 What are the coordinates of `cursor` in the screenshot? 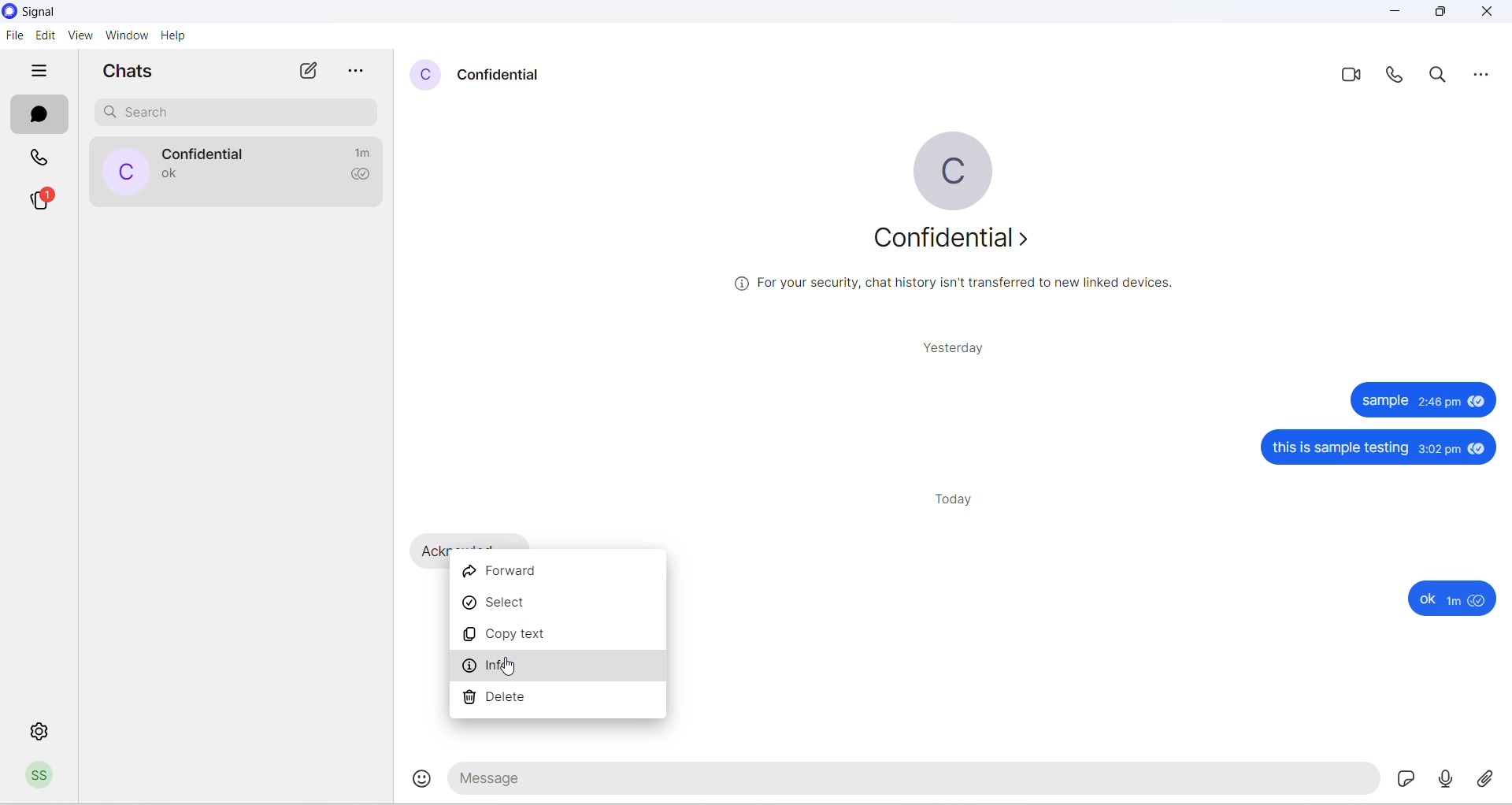 It's located at (511, 667).